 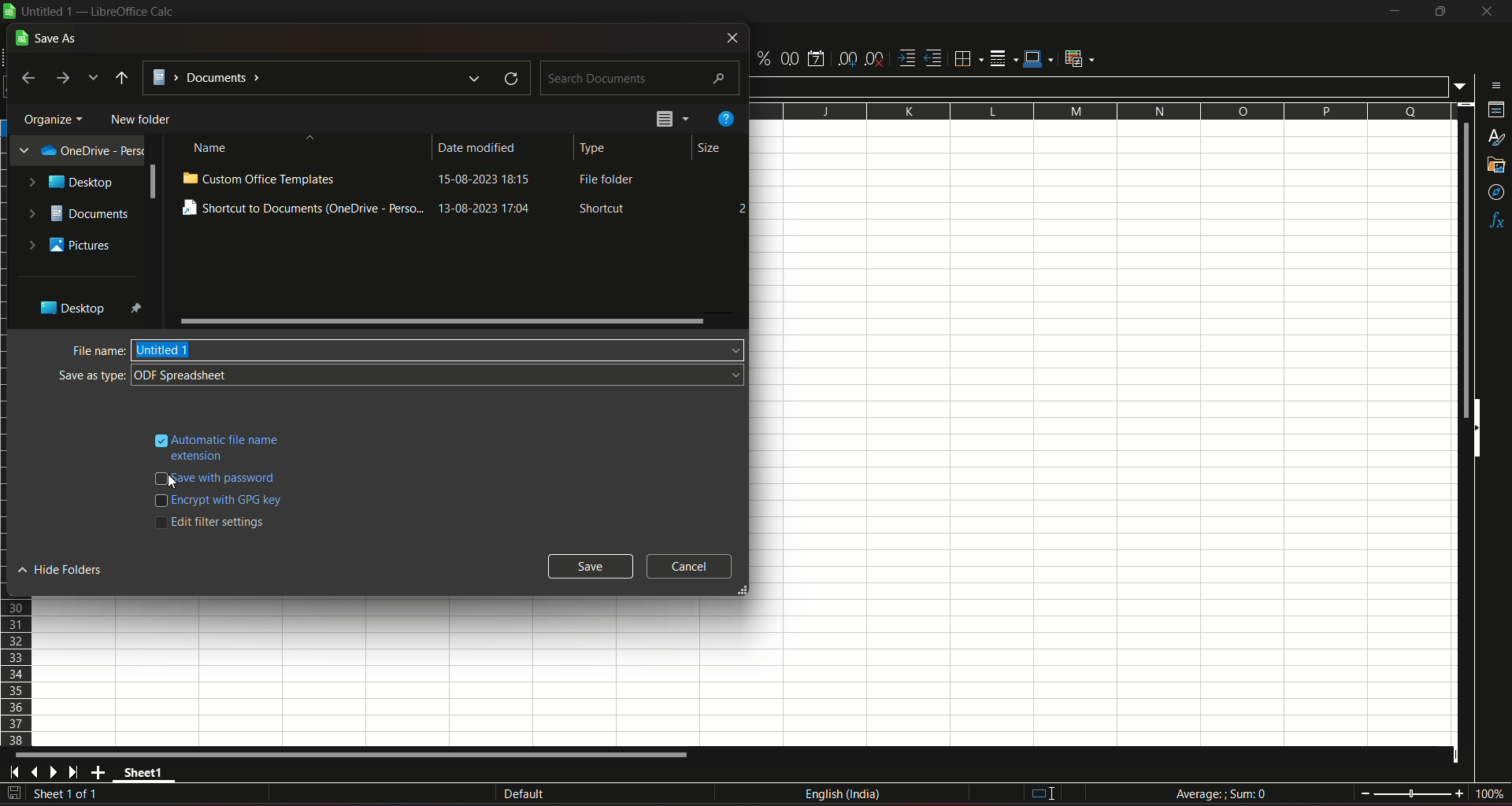 I want to click on name, so click(x=213, y=149).